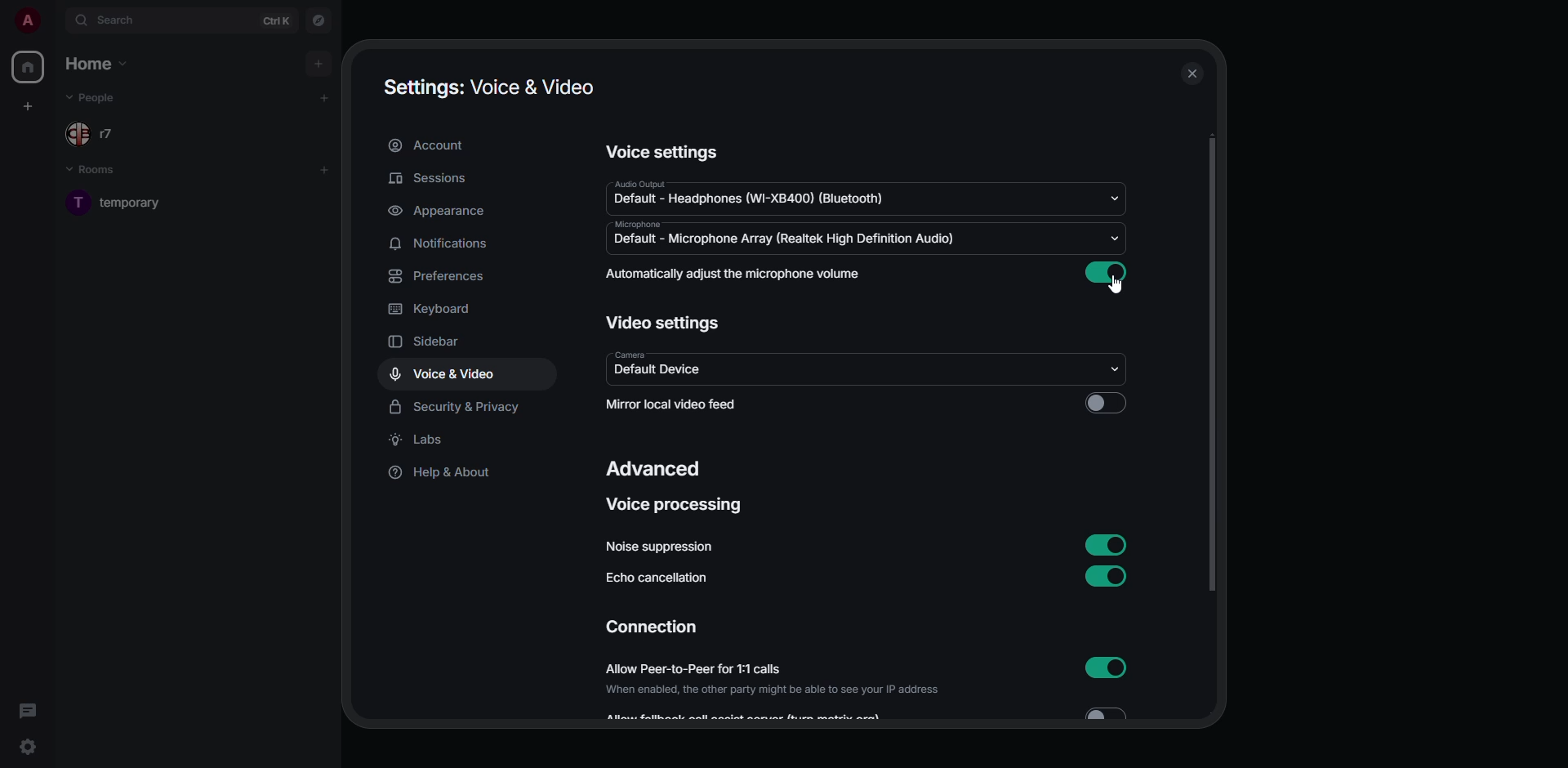 The width and height of the screenshot is (1568, 768). What do you see at coordinates (1120, 198) in the screenshot?
I see `drop down` at bounding box center [1120, 198].